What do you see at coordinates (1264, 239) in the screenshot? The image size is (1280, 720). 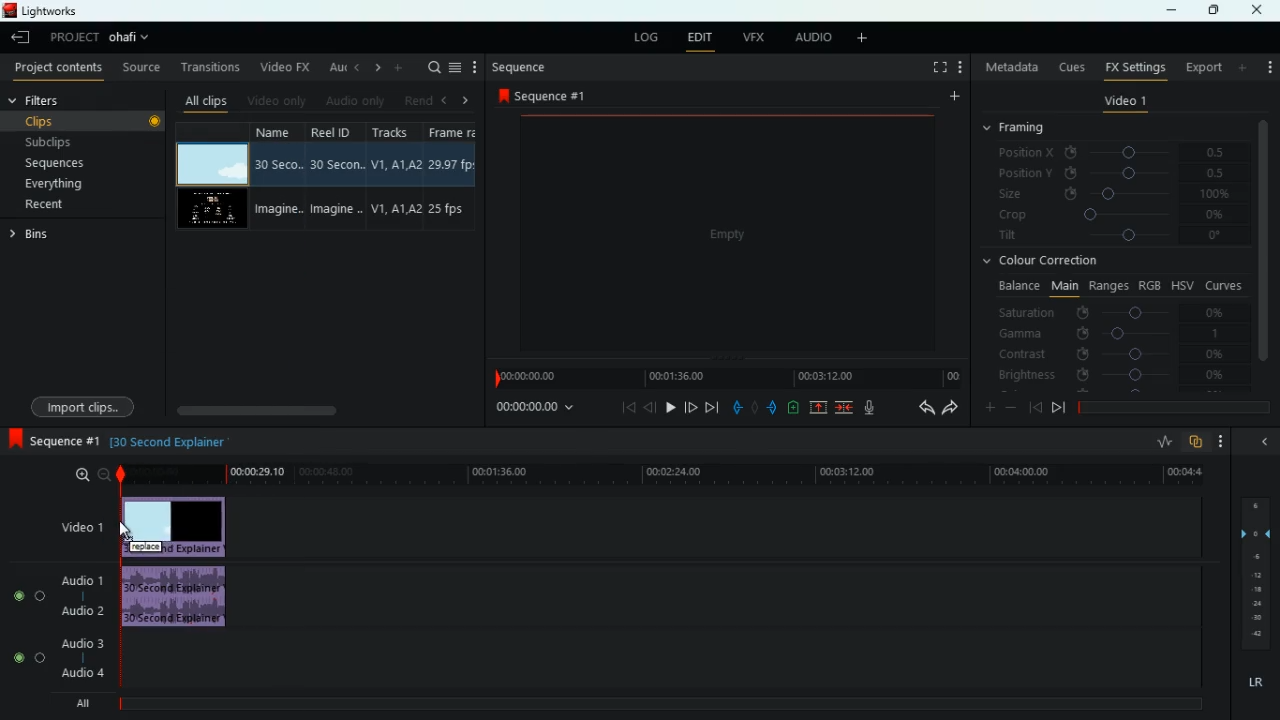 I see `vertical scroll bar` at bounding box center [1264, 239].